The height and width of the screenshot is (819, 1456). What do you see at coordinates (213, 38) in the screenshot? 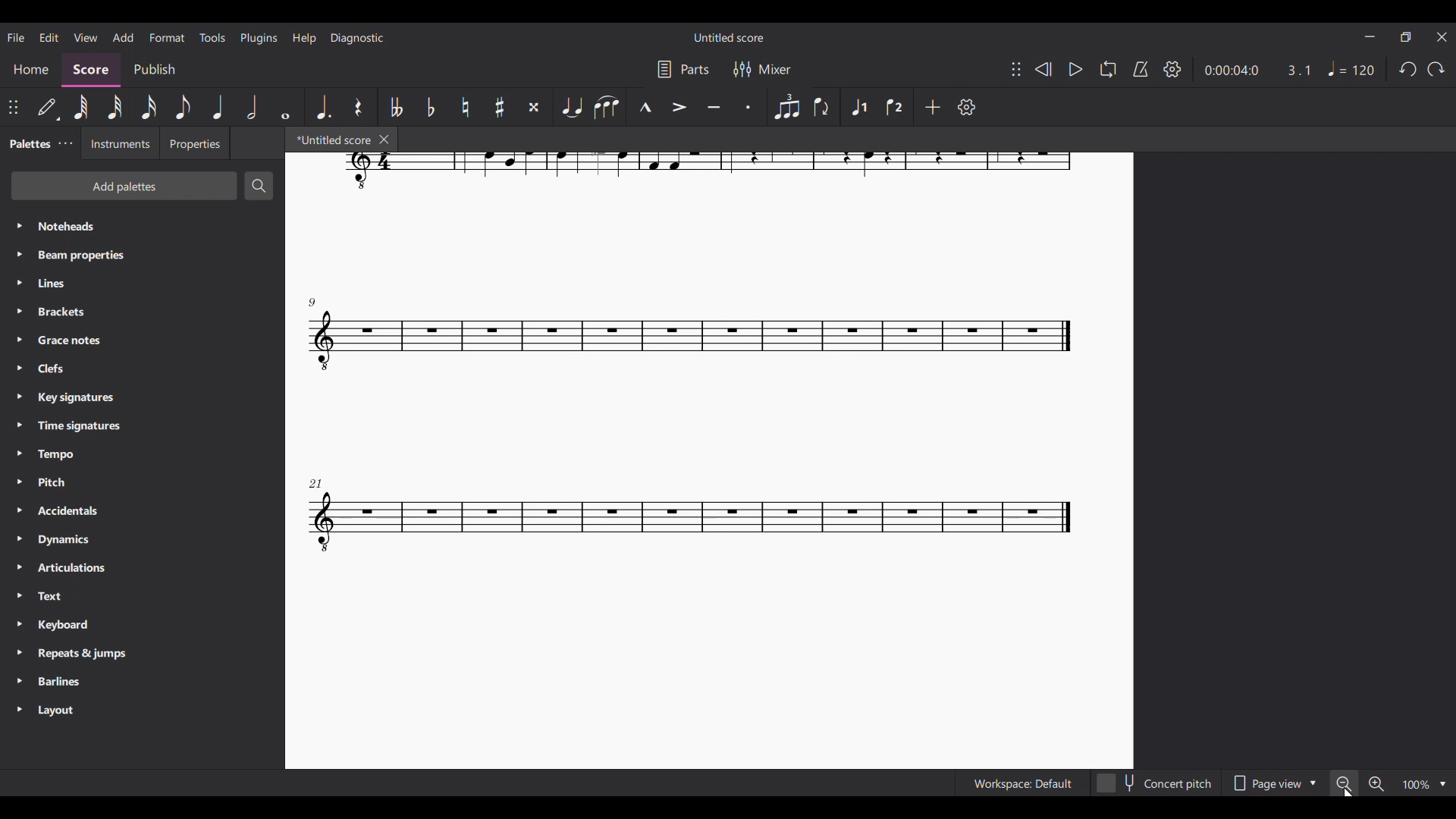
I see `Tools menu` at bounding box center [213, 38].